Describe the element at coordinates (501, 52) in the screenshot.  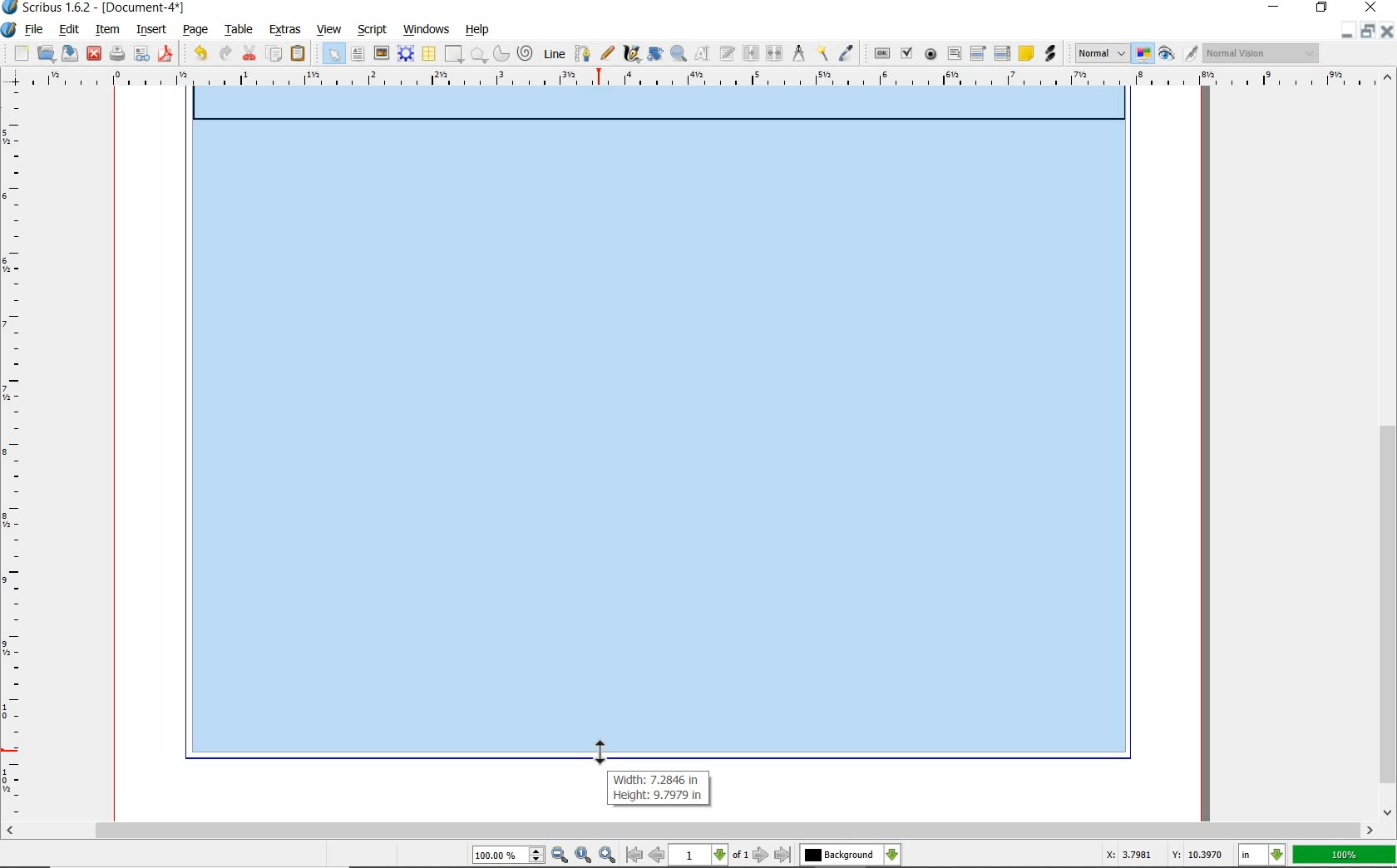
I see `arc` at that location.